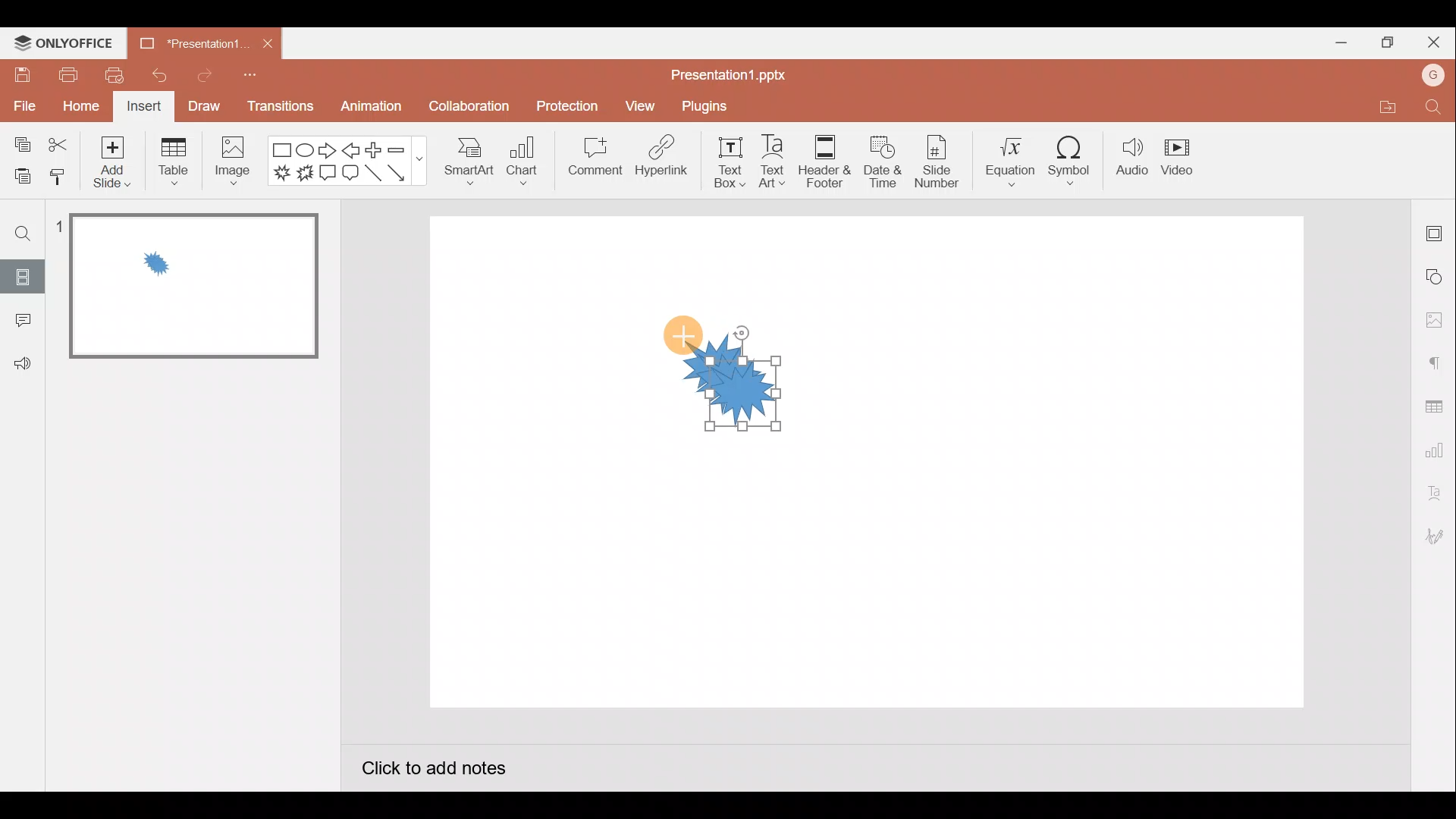 This screenshot has width=1456, height=819. Describe the element at coordinates (1436, 447) in the screenshot. I see `Chart settings` at that location.